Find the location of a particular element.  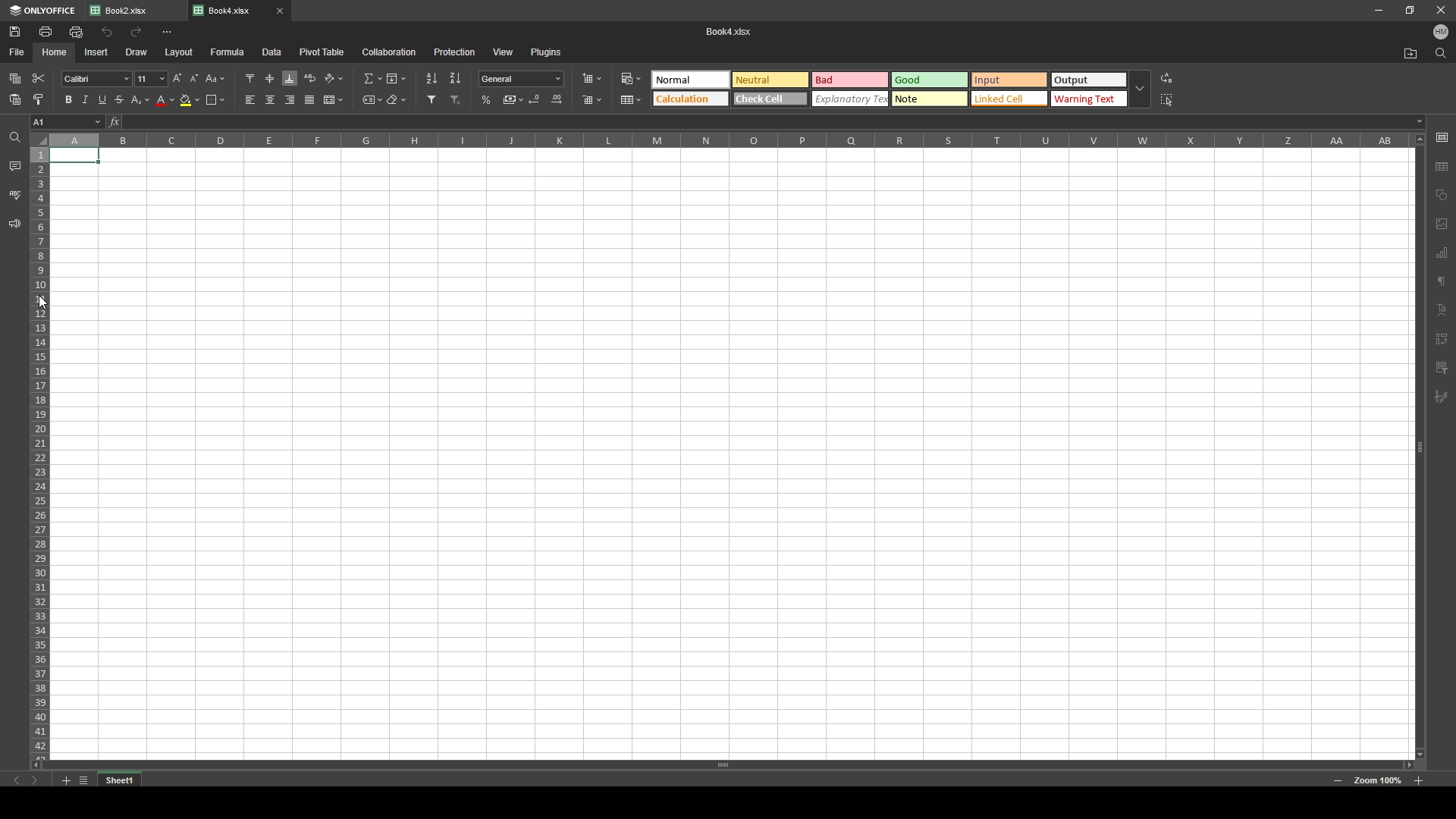

quick print is located at coordinates (77, 32).